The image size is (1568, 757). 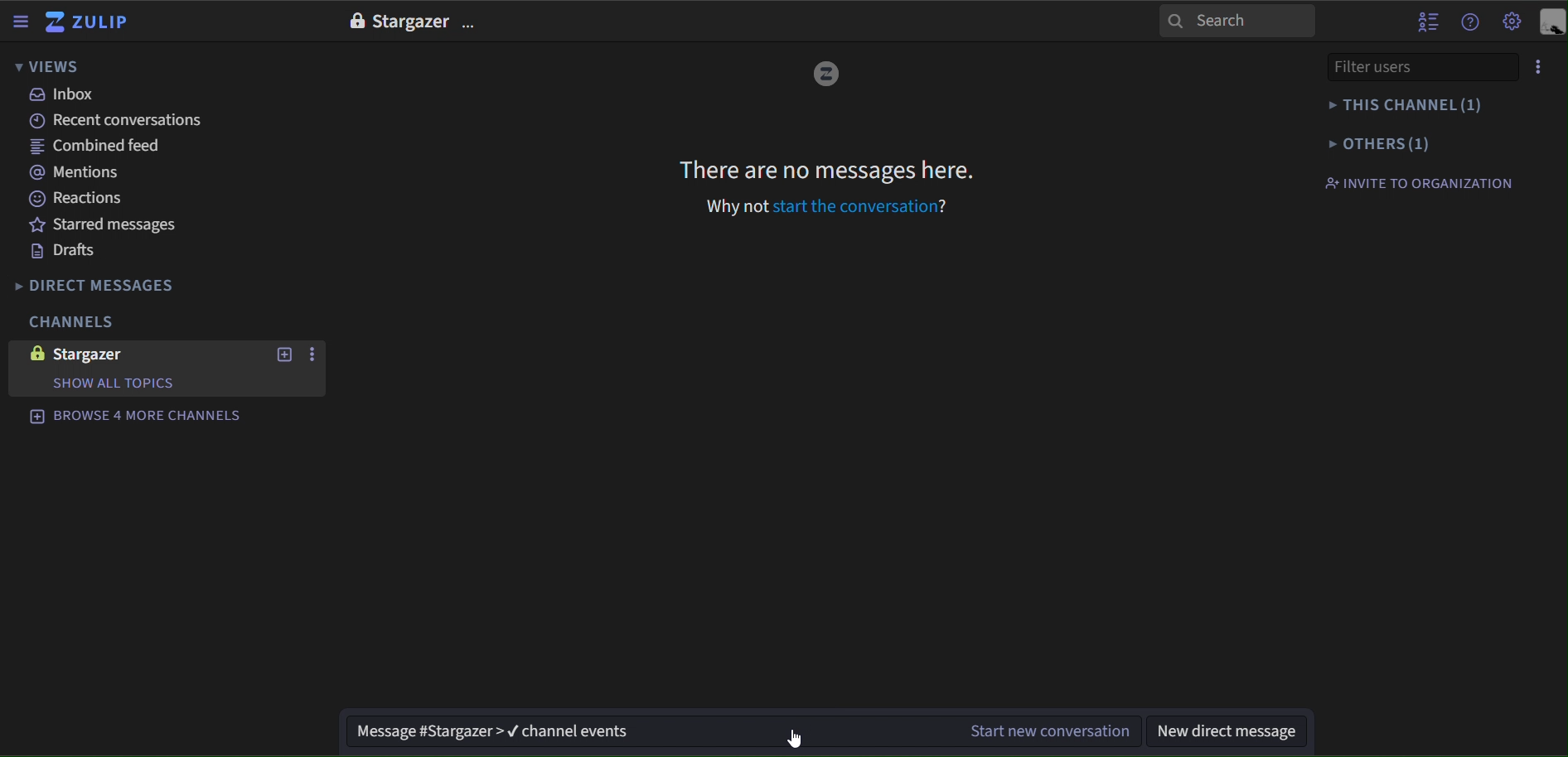 What do you see at coordinates (1428, 20) in the screenshot?
I see `hide user list` at bounding box center [1428, 20].